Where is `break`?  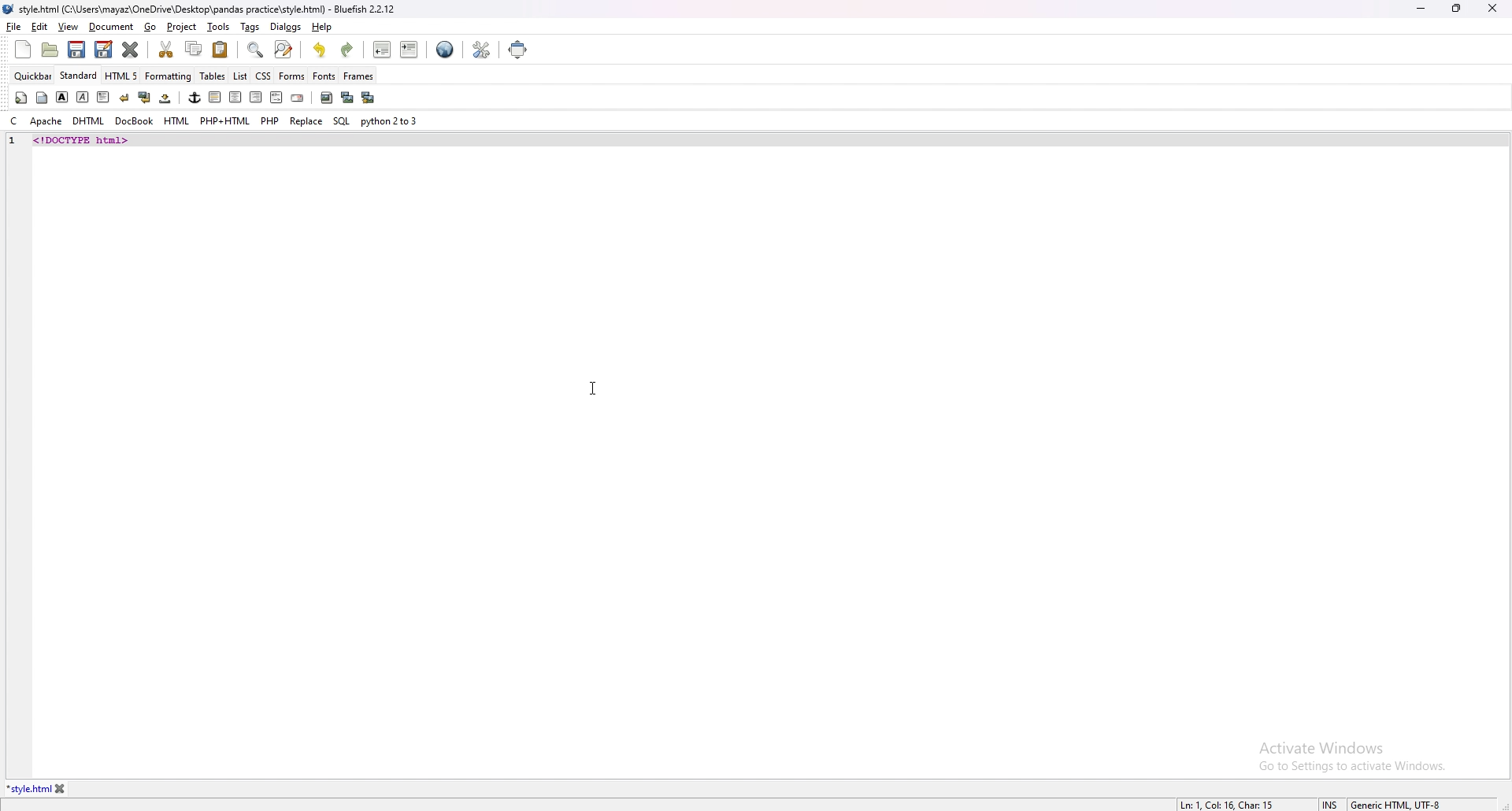 break is located at coordinates (124, 97).